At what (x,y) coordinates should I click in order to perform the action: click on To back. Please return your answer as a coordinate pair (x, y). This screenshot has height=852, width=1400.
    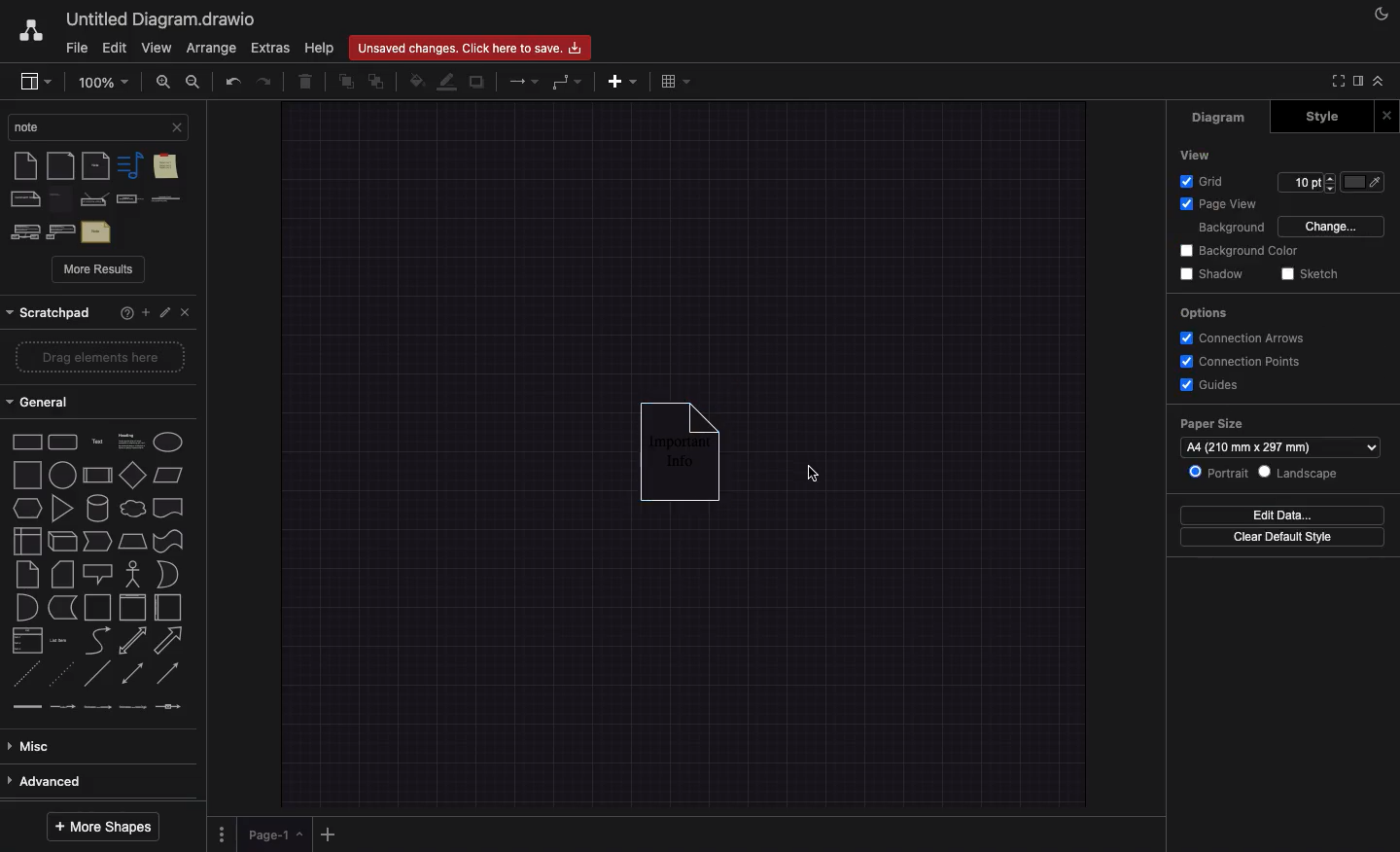
    Looking at the image, I should click on (380, 80).